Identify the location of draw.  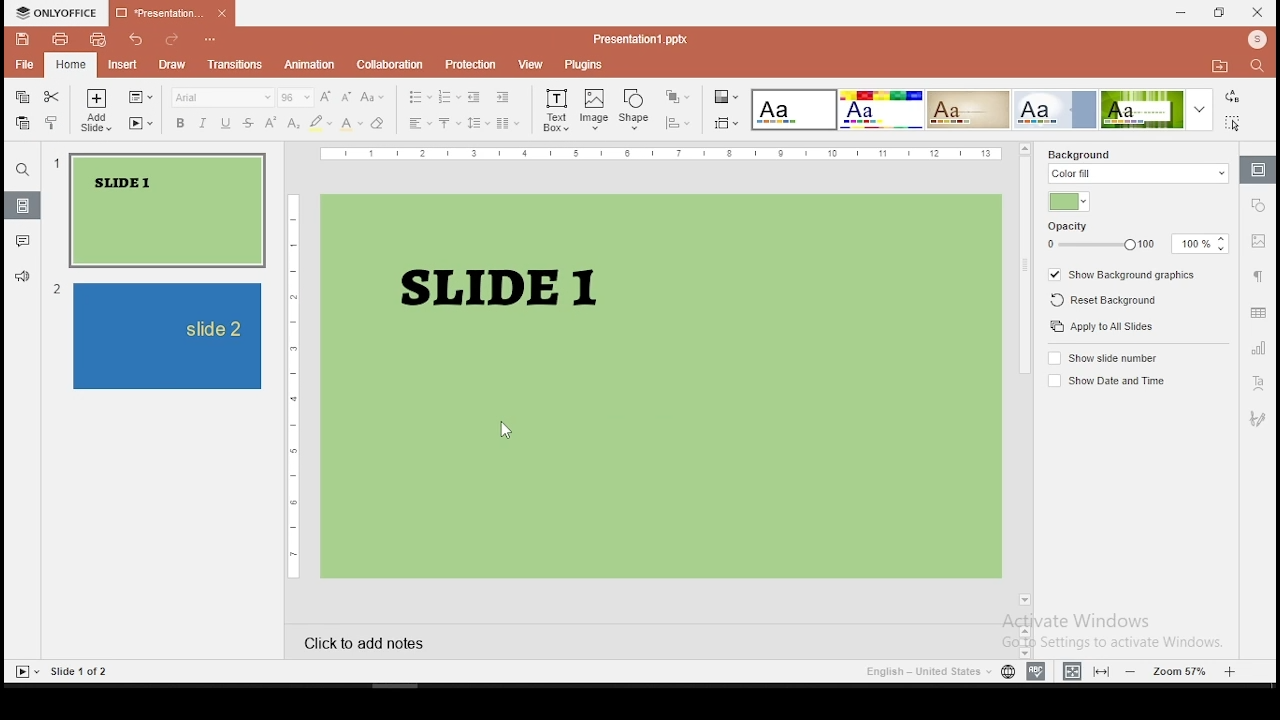
(172, 63).